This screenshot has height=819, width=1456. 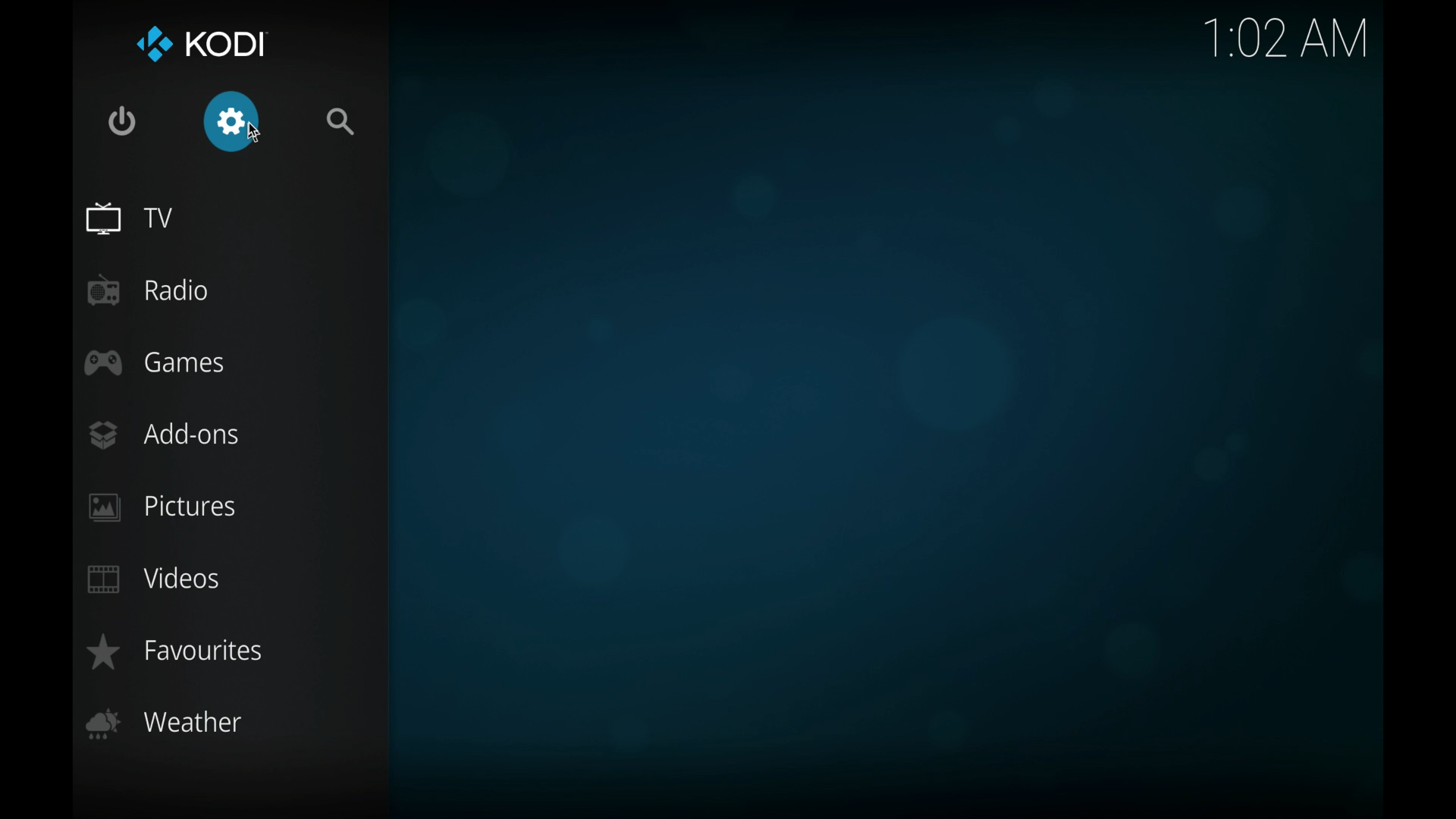 I want to click on favorites, so click(x=178, y=652).